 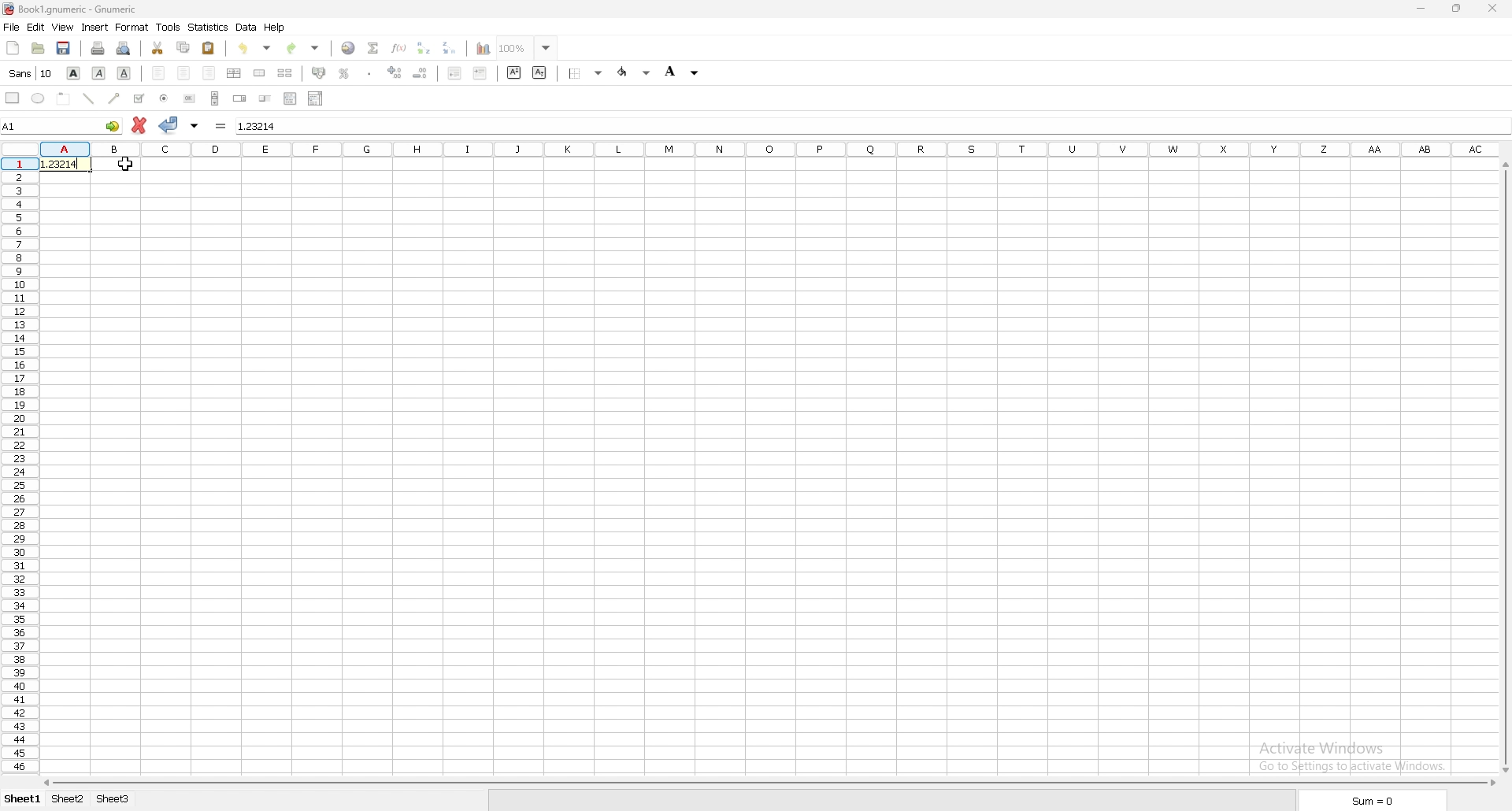 I want to click on decrease indent, so click(x=454, y=74).